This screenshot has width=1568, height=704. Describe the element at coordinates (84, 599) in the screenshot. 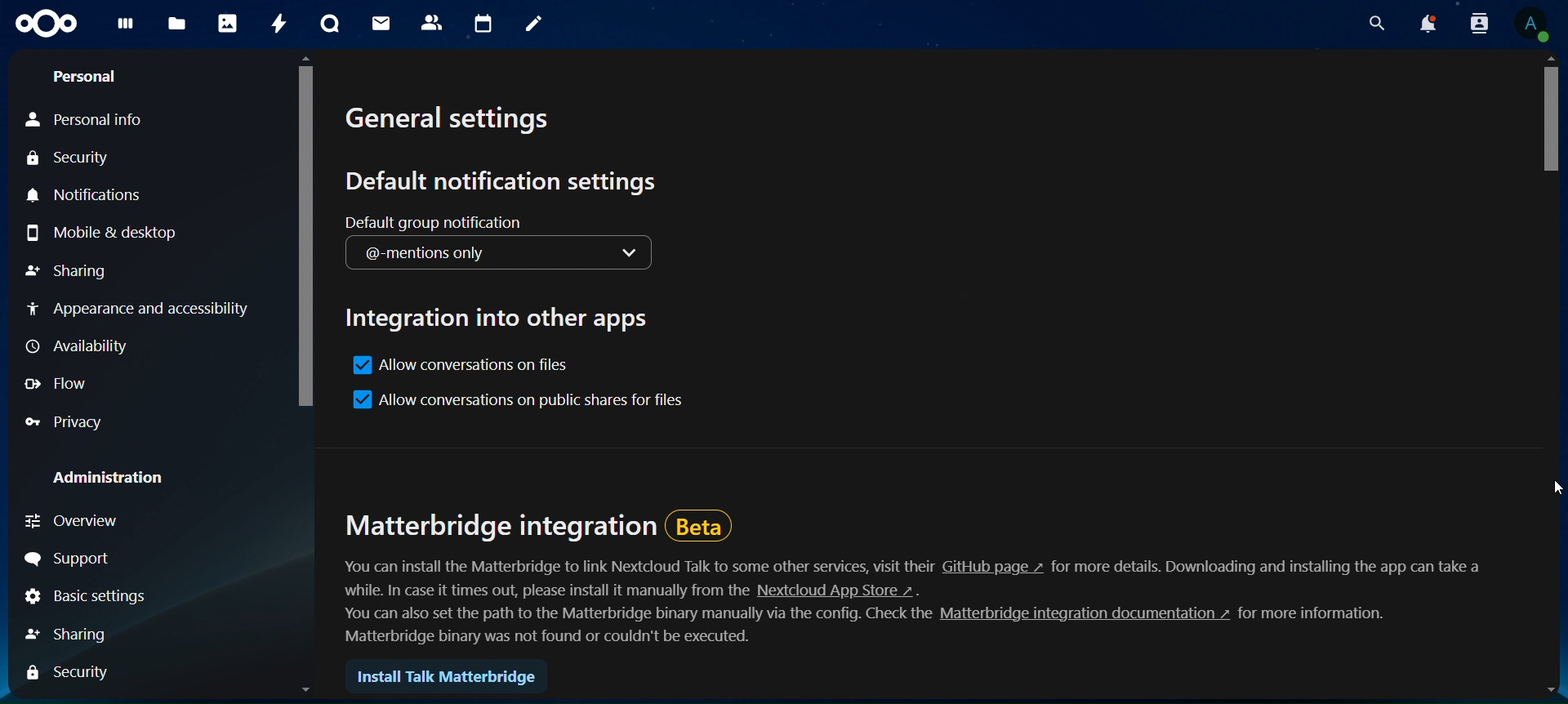

I see `basic settings` at that location.